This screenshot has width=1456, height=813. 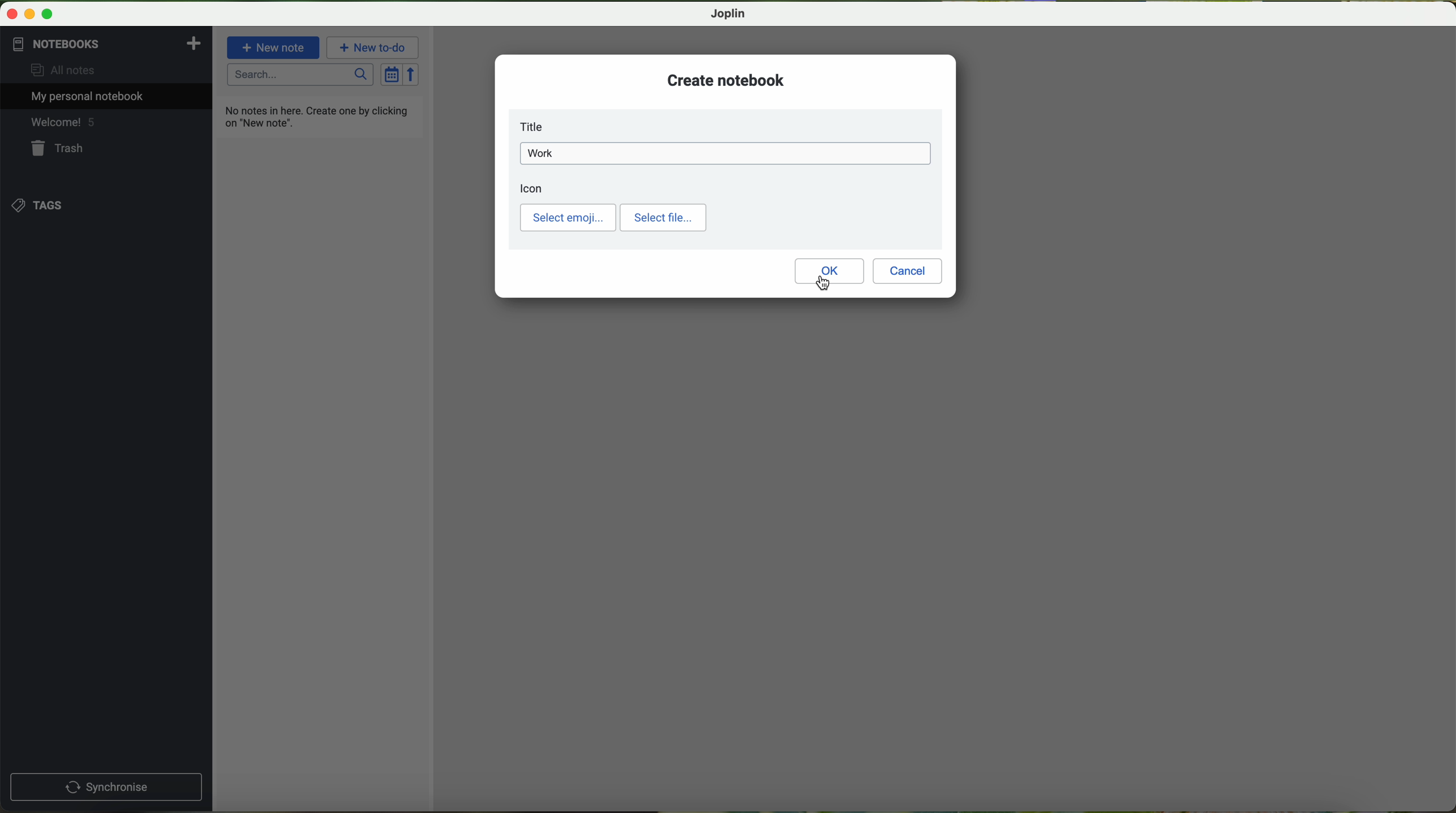 What do you see at coordinates (83, 97) in the screenshot?
I see `my personal notebook` at bounding box center [83, 97].